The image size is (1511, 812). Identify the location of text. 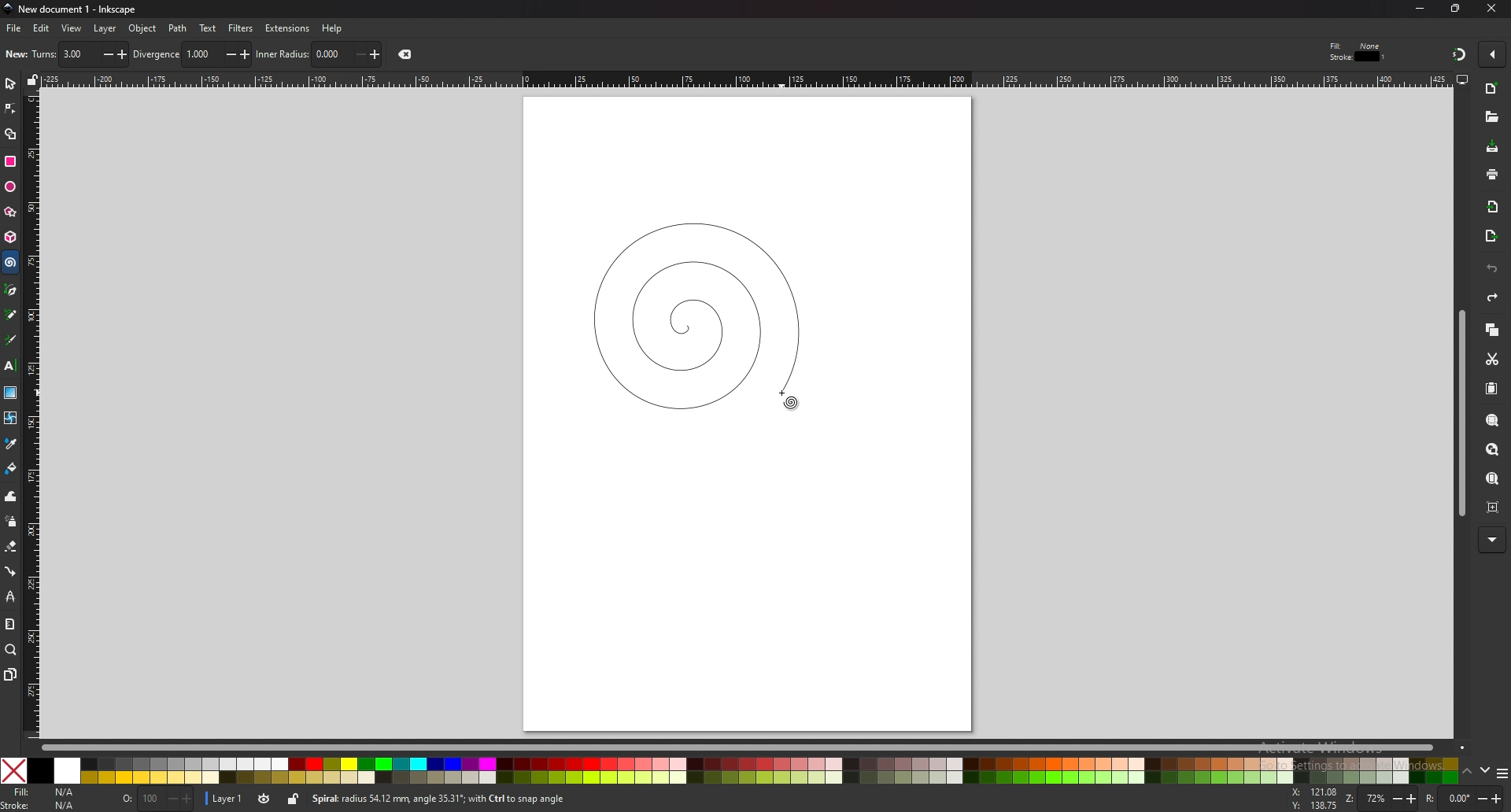
(10, 364).